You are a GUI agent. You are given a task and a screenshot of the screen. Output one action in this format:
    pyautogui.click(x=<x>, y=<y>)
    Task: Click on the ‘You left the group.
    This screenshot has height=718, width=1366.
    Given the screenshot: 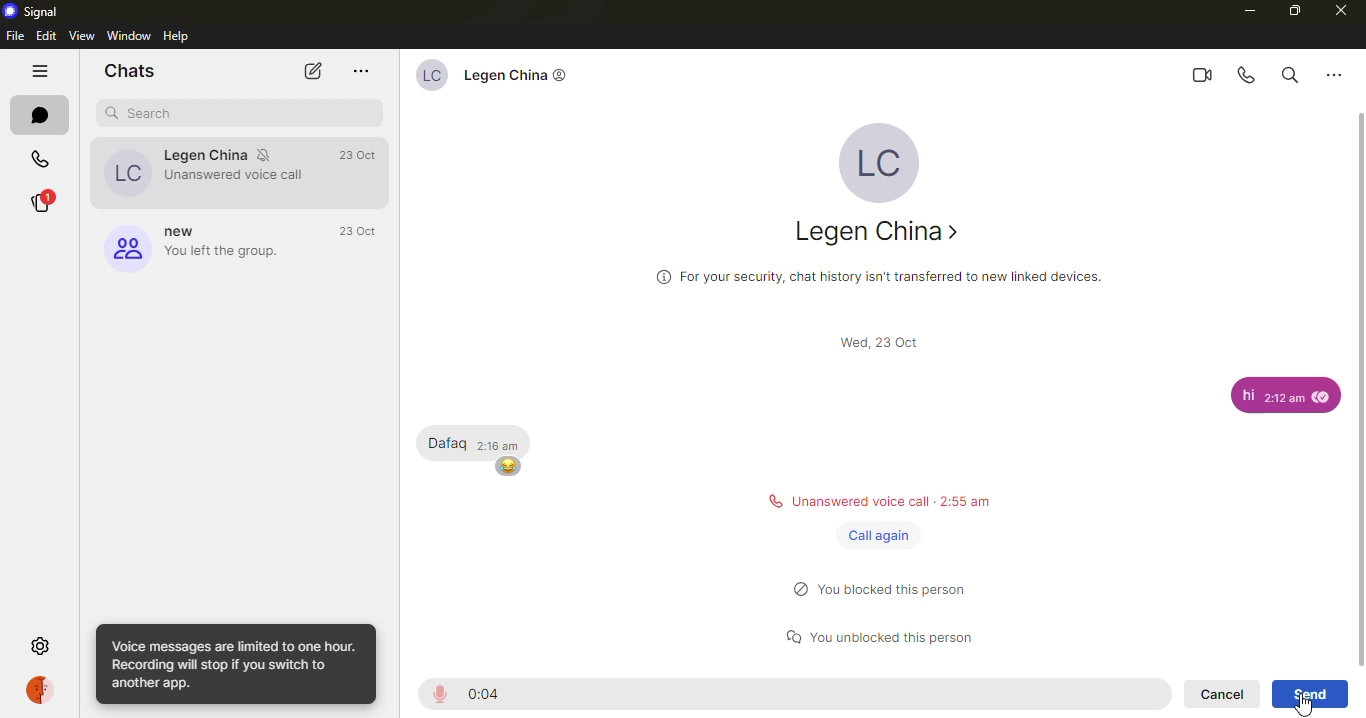 What is the action you would take?
    pyautogui.click(x=225, y=251)
    